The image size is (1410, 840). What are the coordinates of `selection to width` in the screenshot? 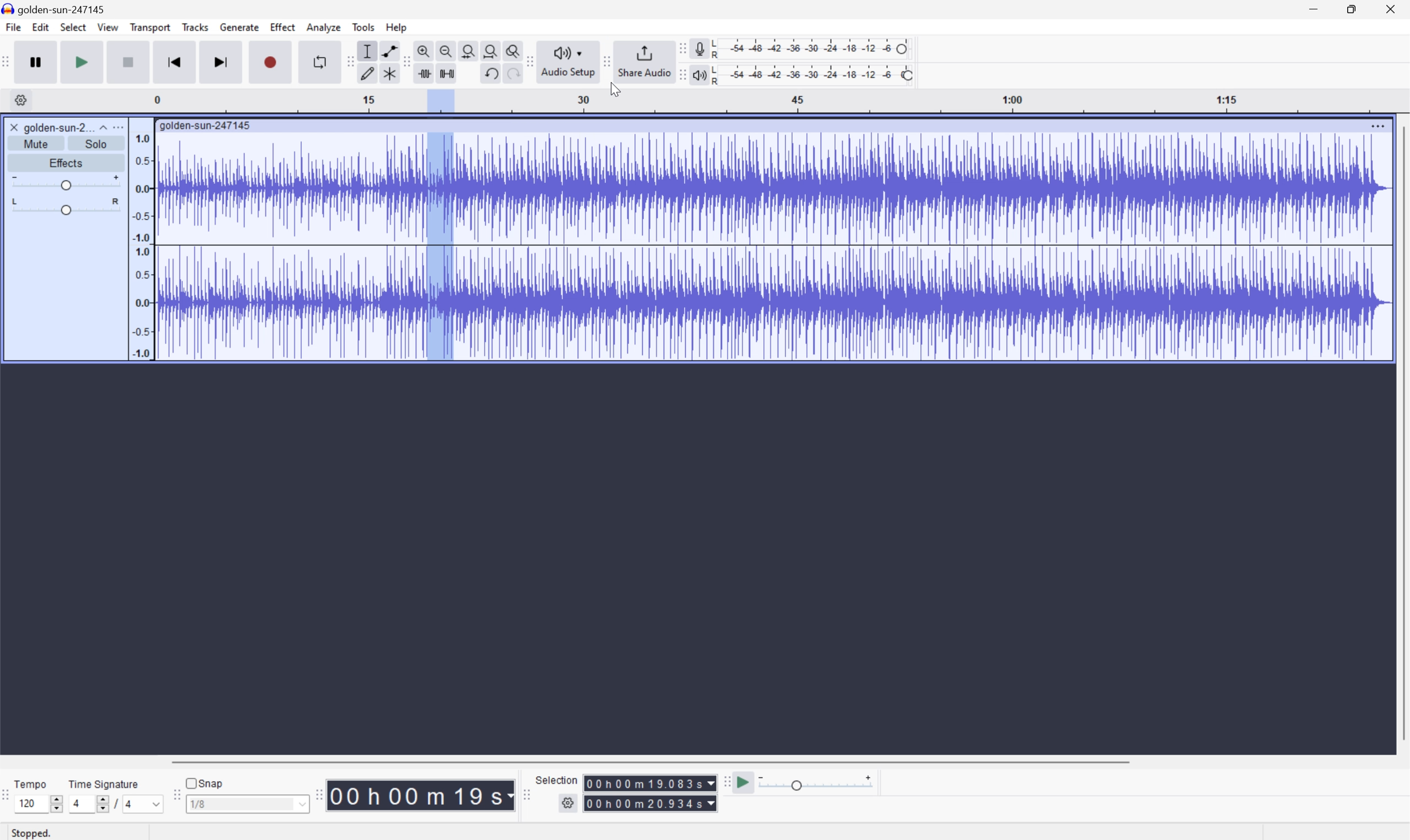 It's located at (470, 49).